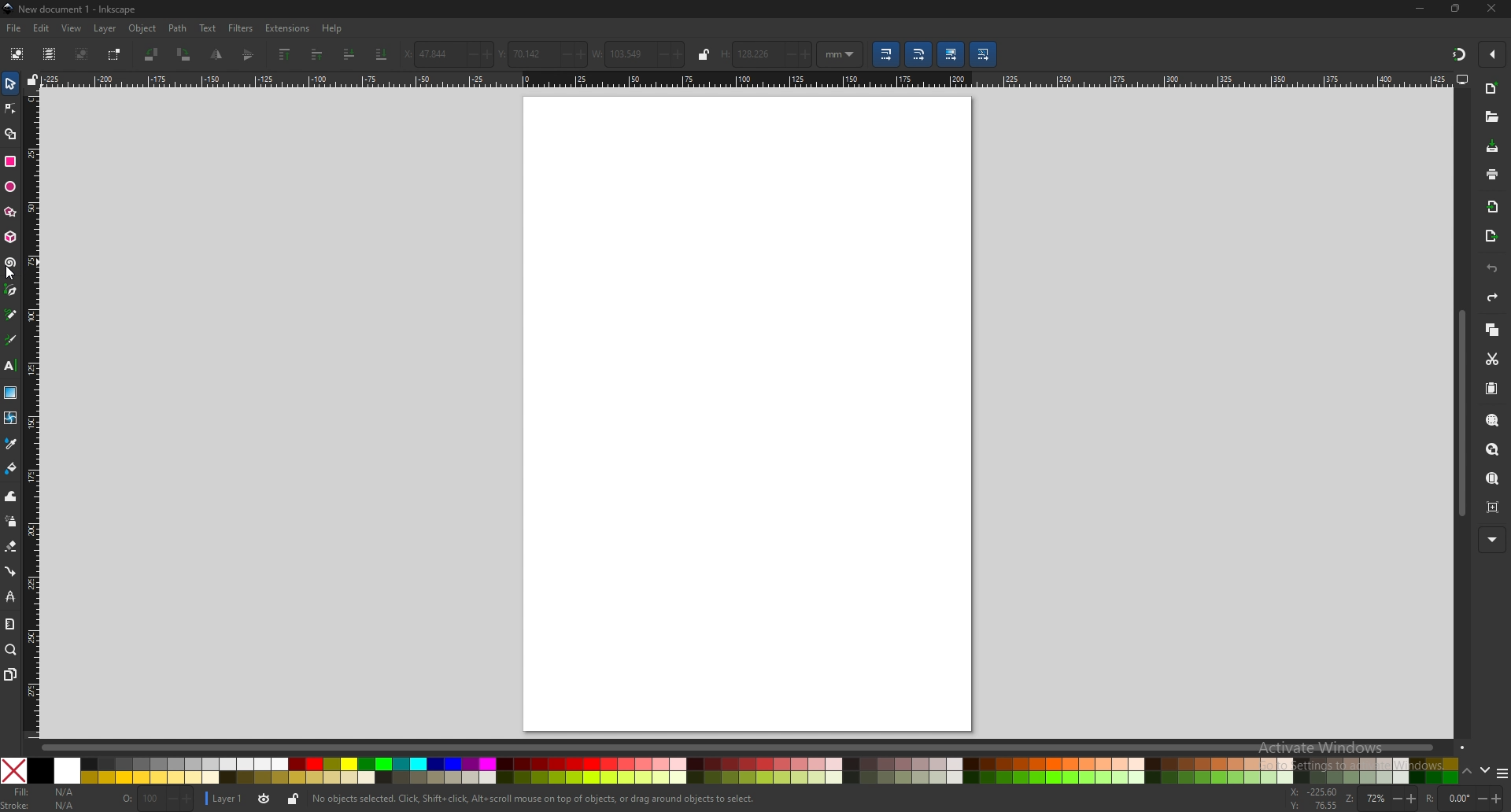 The width and height of the screenshot is (1511, 812). Describe the element at coordinates (951, 54) in the screenshot. I see `move gradient` at that location.